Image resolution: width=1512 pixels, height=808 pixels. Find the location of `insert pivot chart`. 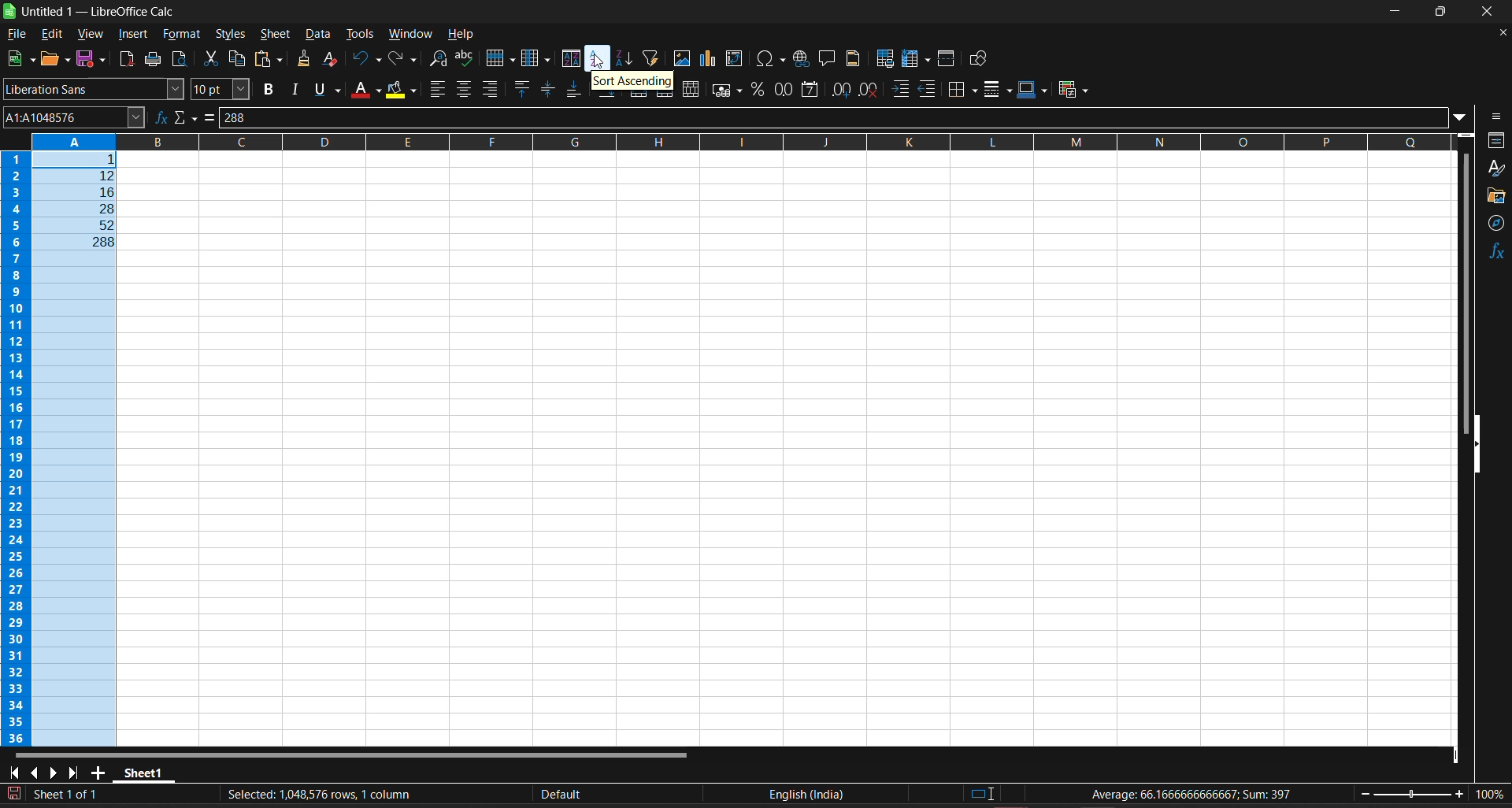

insert pivot chart is located at coordinates (707, 60).